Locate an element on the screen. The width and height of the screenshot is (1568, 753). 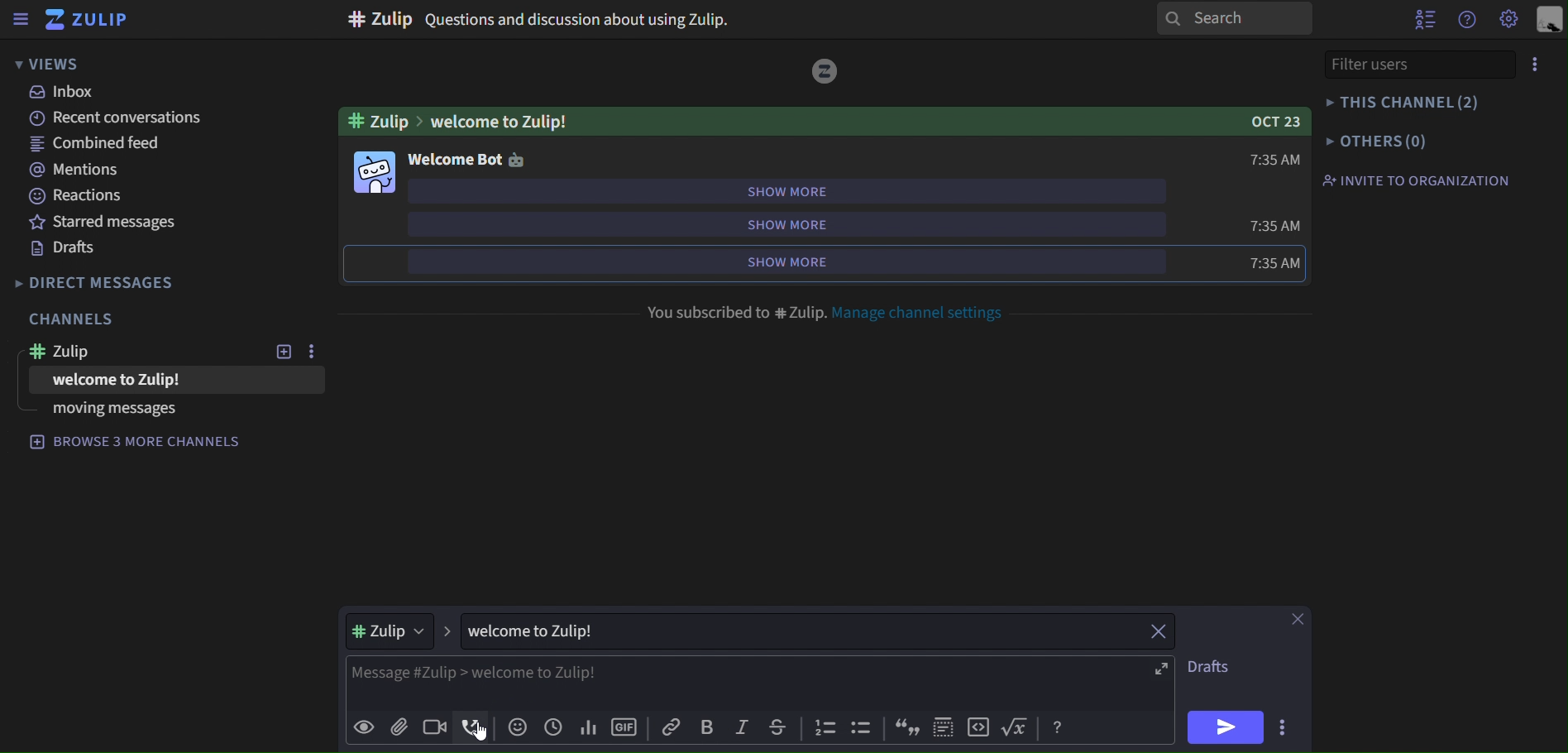
#Zulip Questions and discussion about using Zulip. is located at coordinates (543, 21).